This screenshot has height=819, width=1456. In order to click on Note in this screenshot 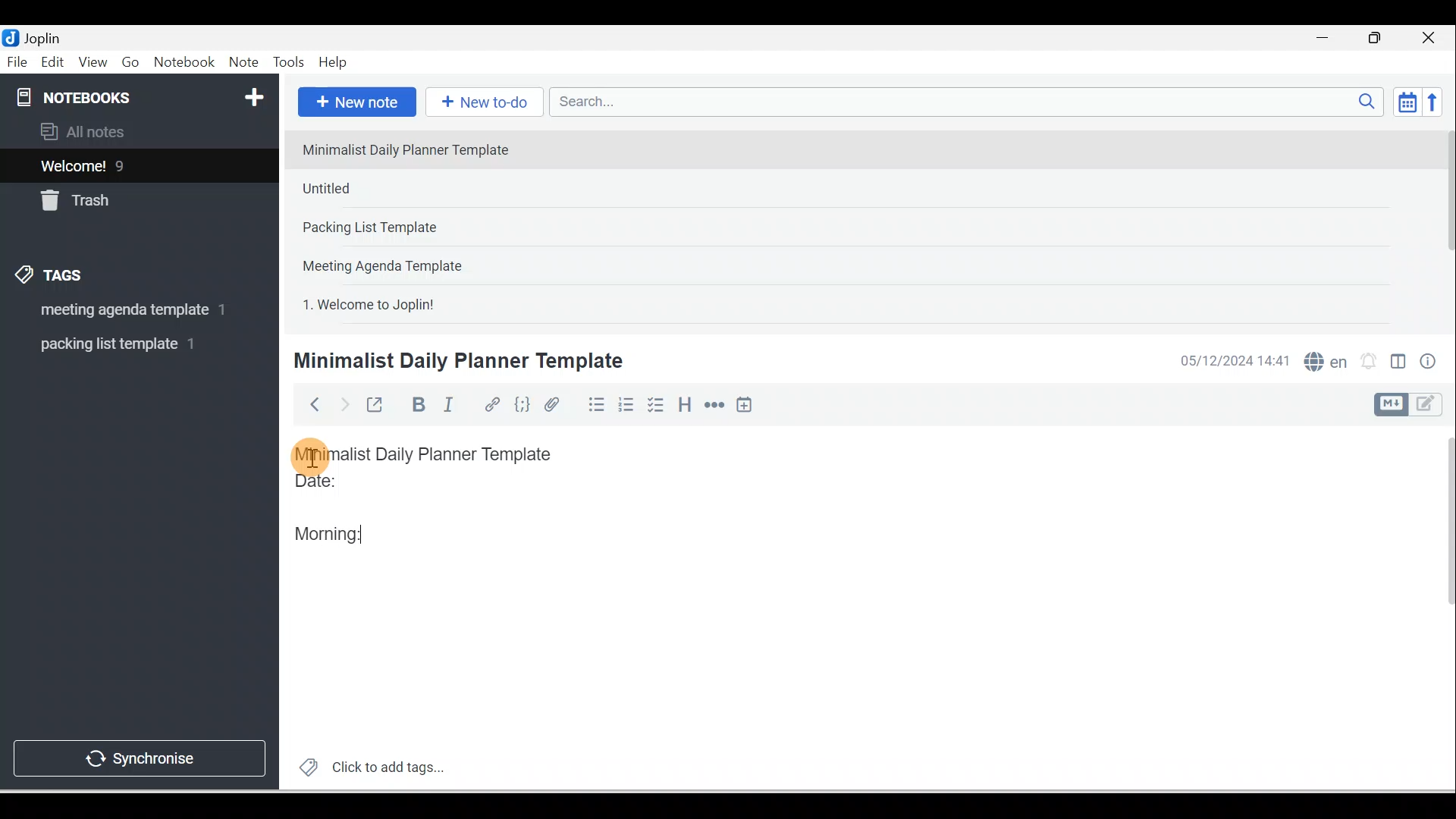, I will do `click(242, 63)`.